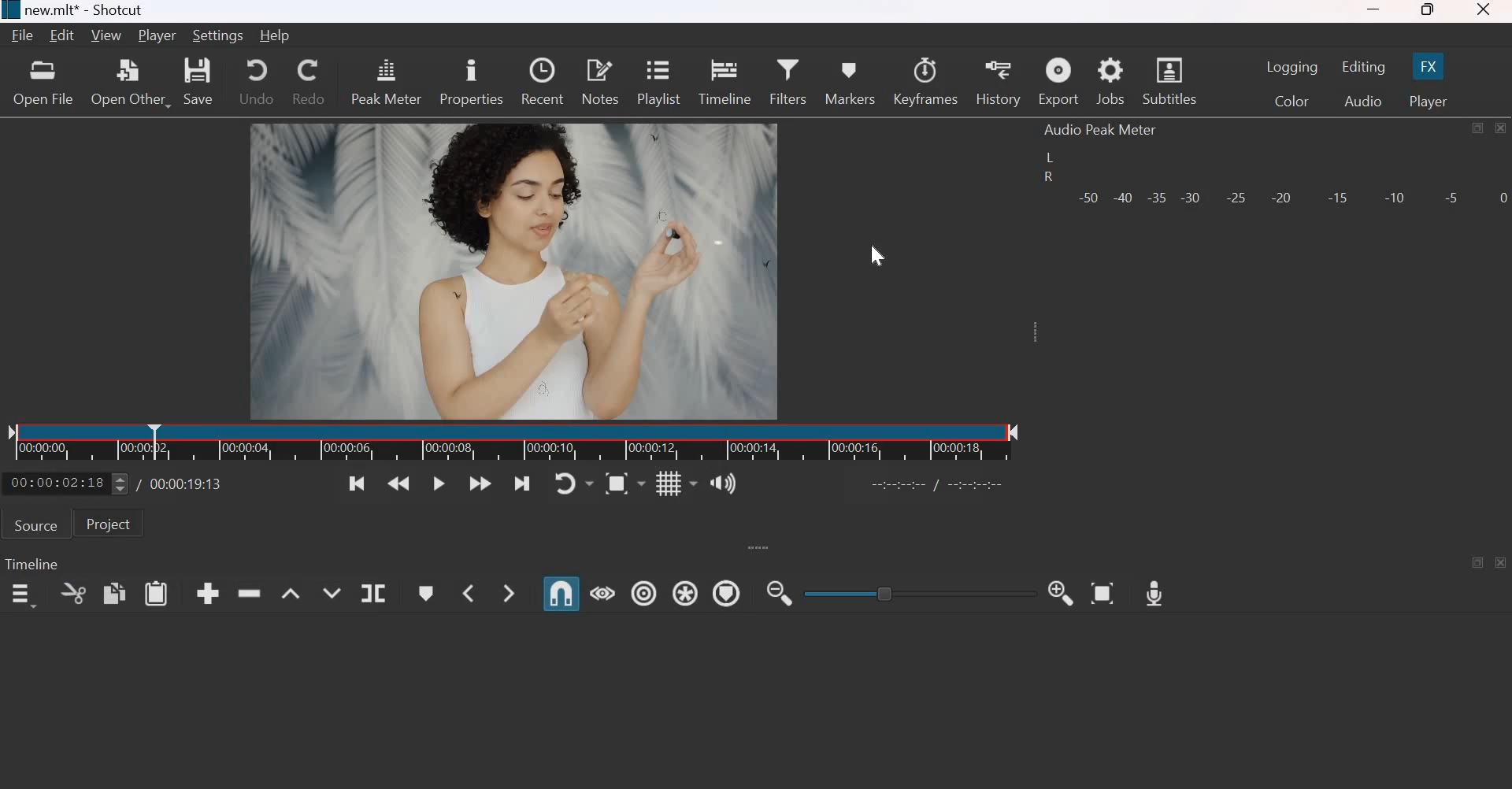 This screenshot has width=1512, height=789. I want to click on Open other, so click(132, 82).